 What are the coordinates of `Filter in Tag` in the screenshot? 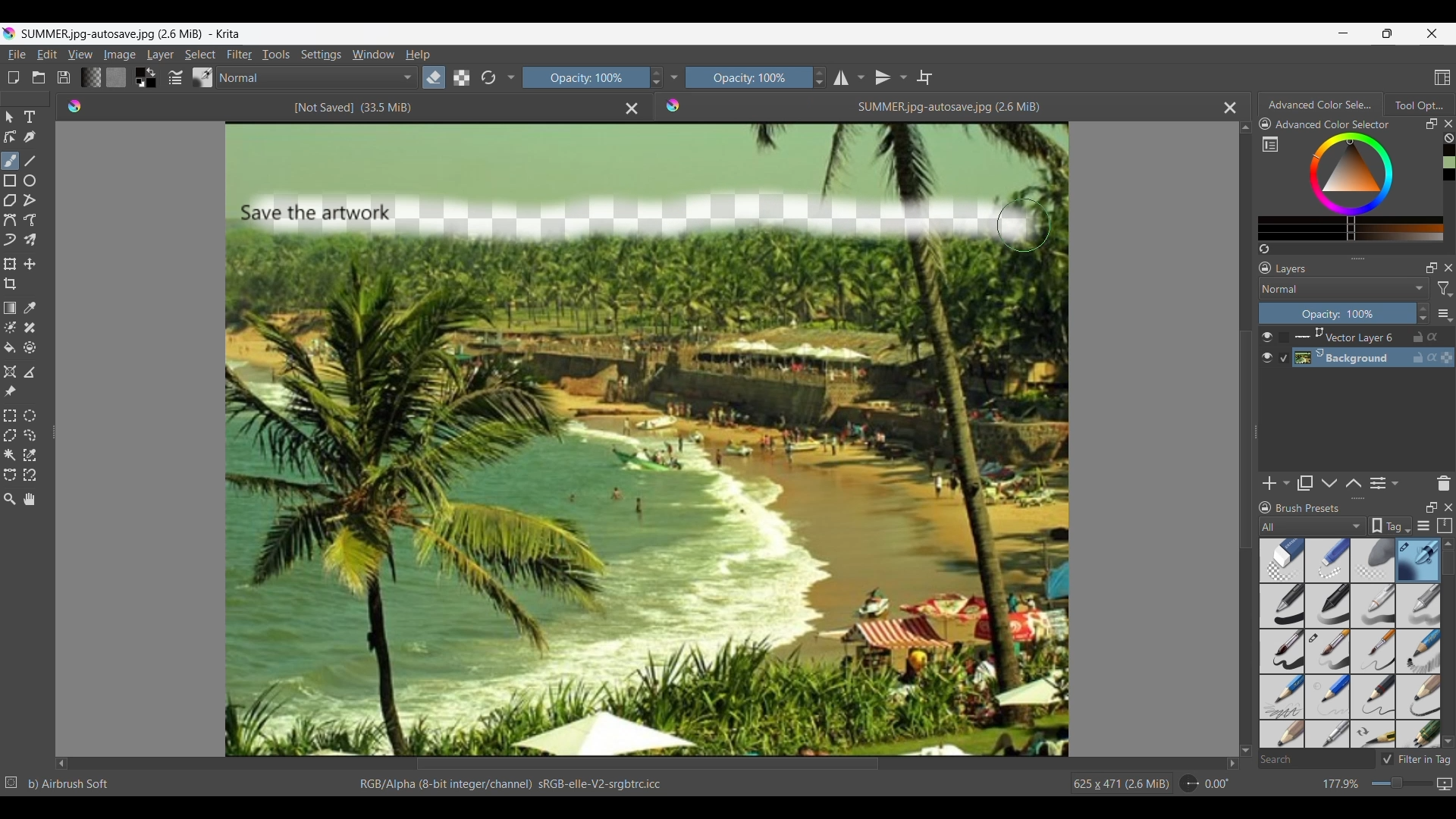 It's located at (1416, 759).